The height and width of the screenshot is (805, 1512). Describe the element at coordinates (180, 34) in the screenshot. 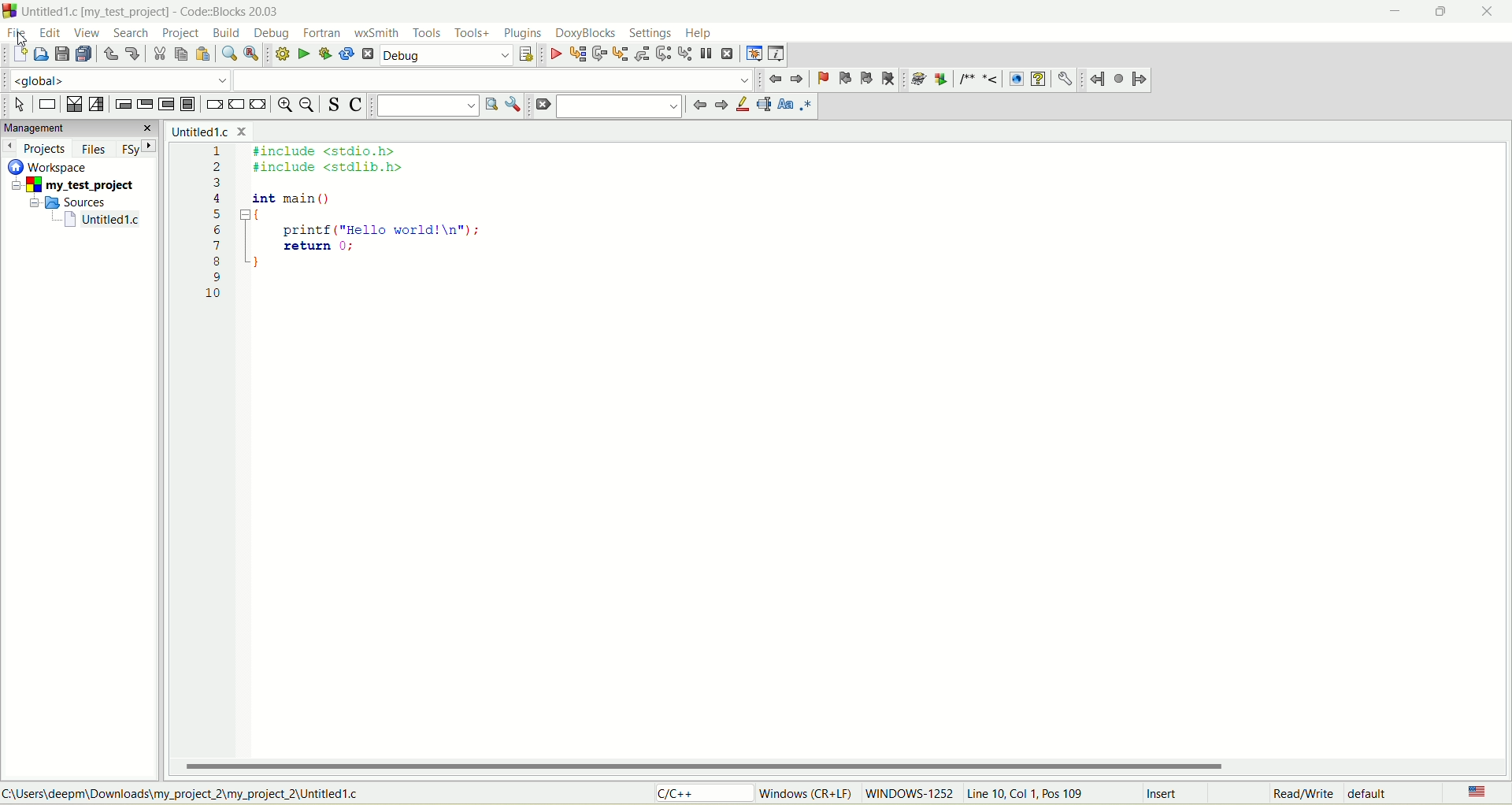

I see `project` at that location.